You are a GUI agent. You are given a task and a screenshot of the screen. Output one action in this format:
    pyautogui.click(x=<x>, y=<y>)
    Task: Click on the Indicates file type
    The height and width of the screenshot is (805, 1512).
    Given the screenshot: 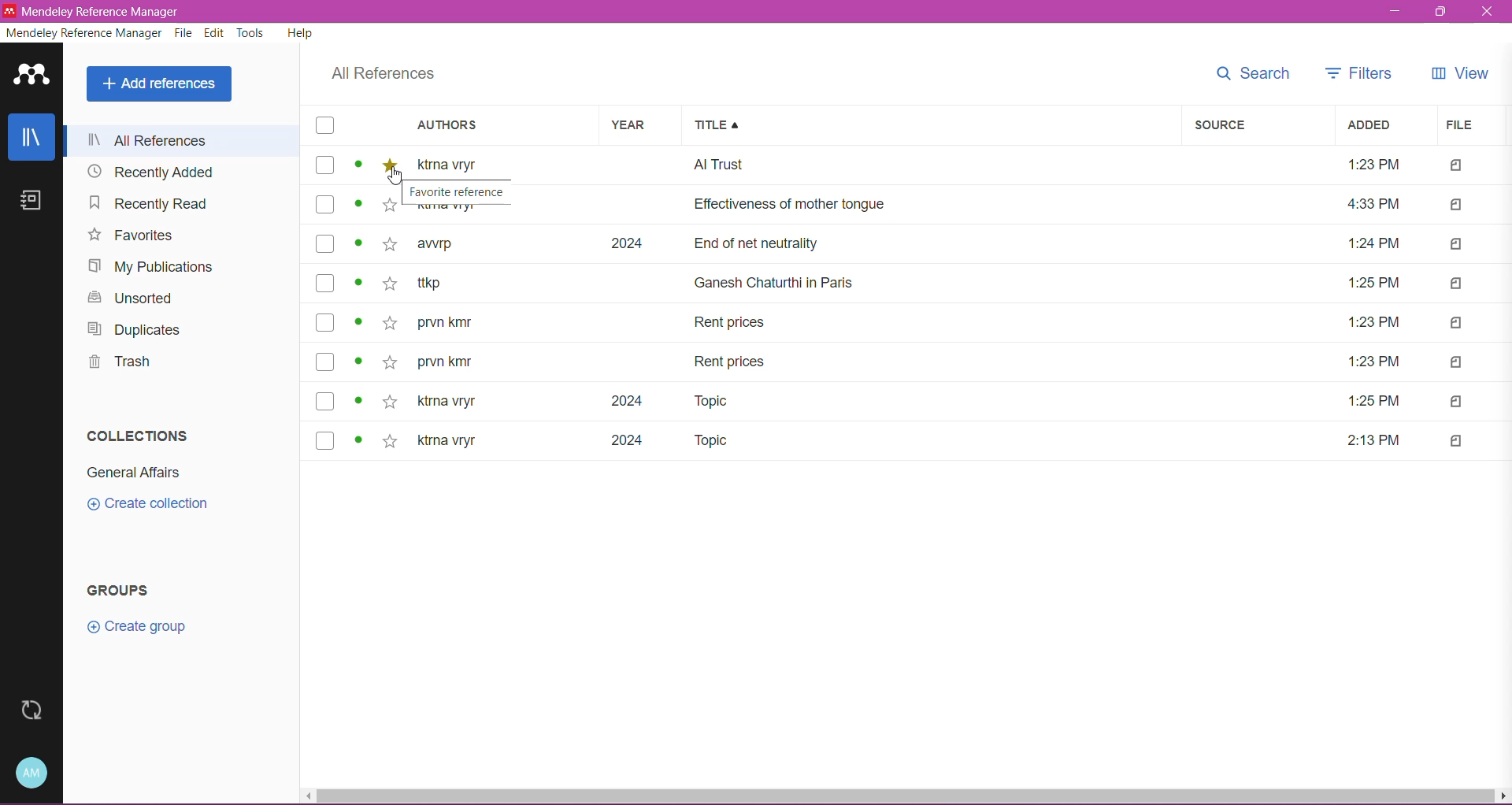 What is the action you would take?
    pyautogui.click(x=1457, y=441)
    